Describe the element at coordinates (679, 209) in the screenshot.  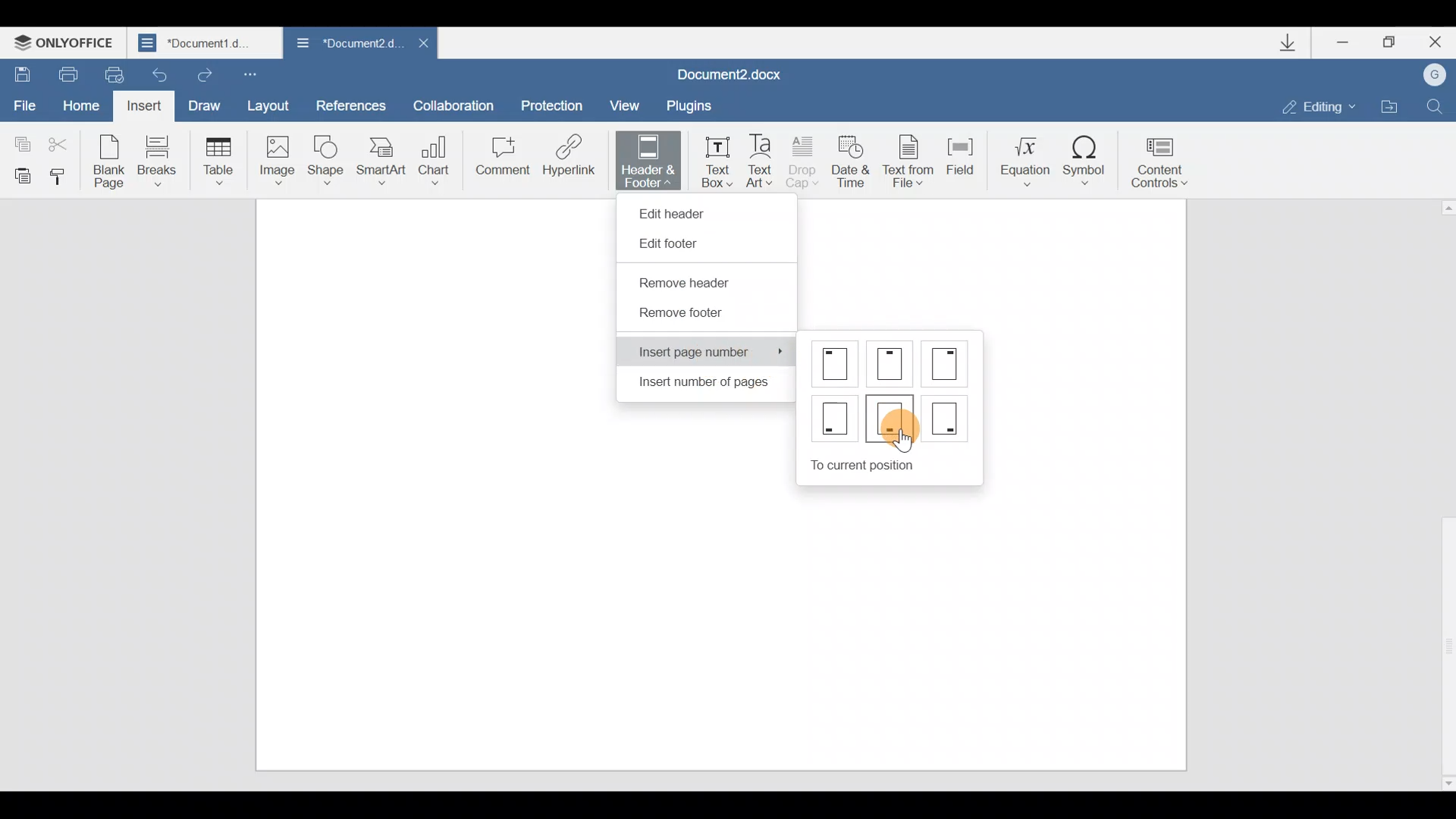
I see `Edit header` at that location.